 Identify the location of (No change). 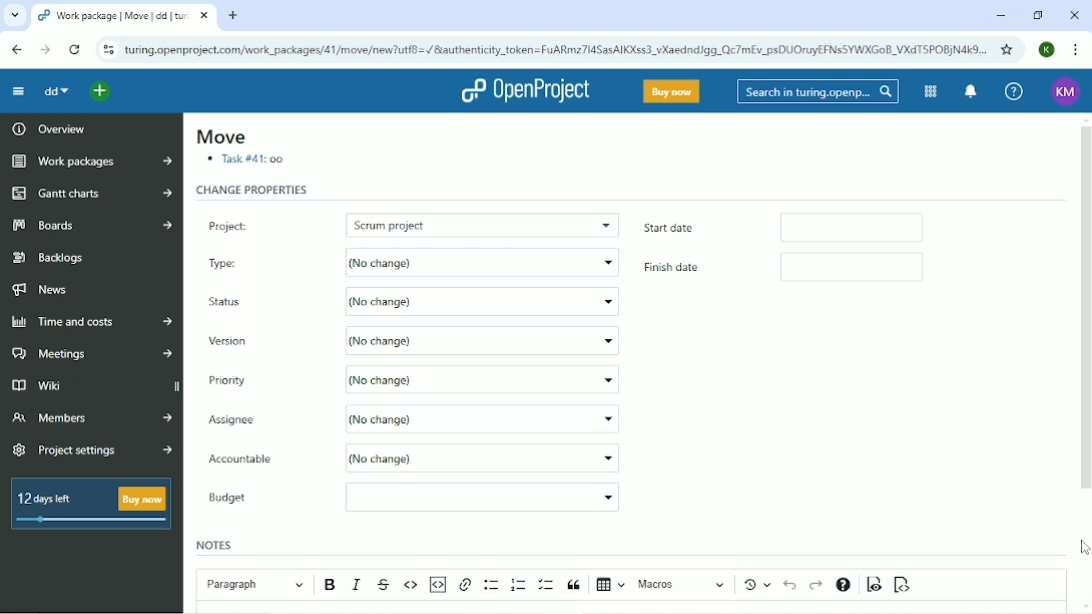
(482, 417).